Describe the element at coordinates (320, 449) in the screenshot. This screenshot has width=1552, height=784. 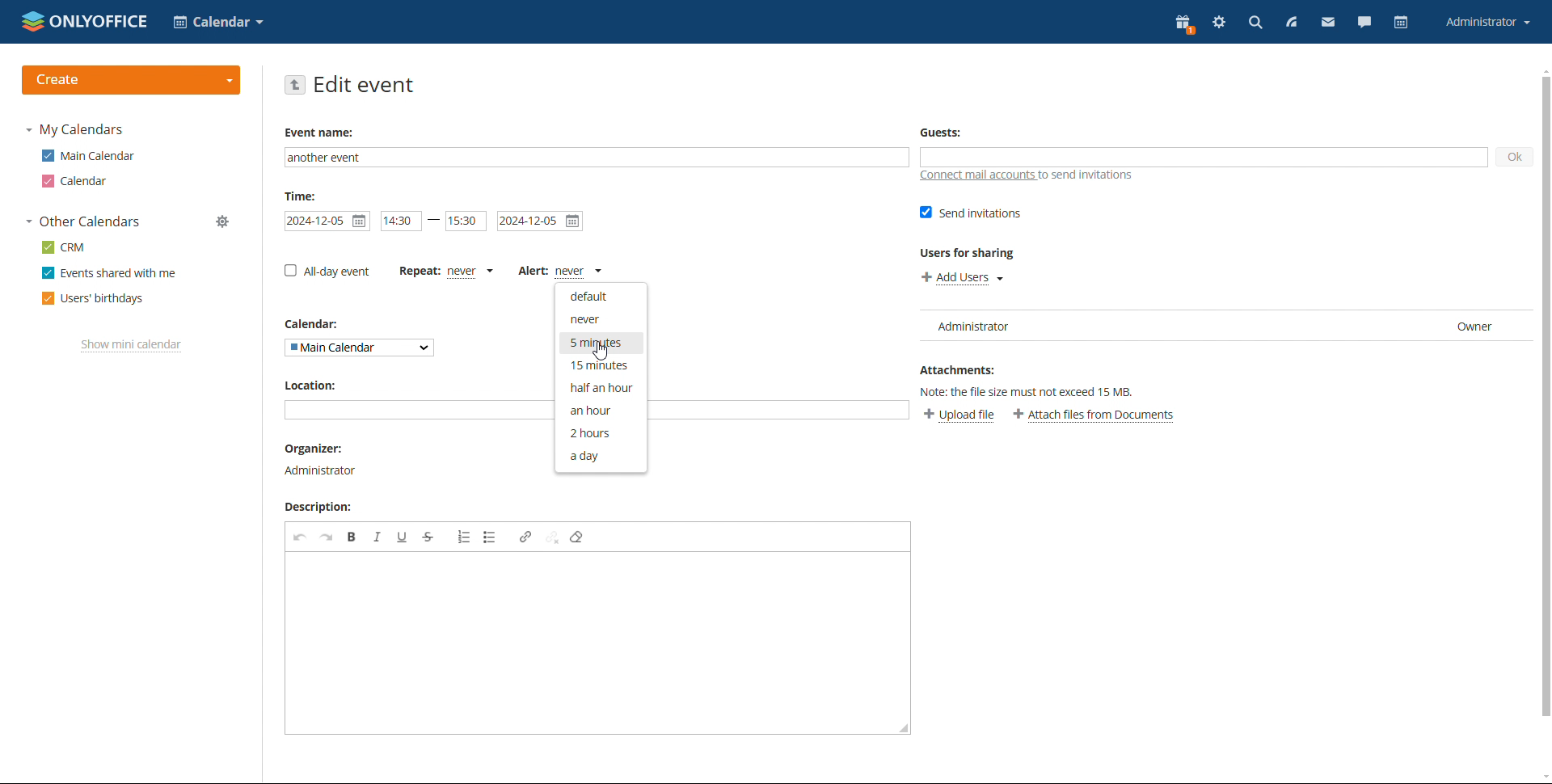
I see `organizer` at that location.